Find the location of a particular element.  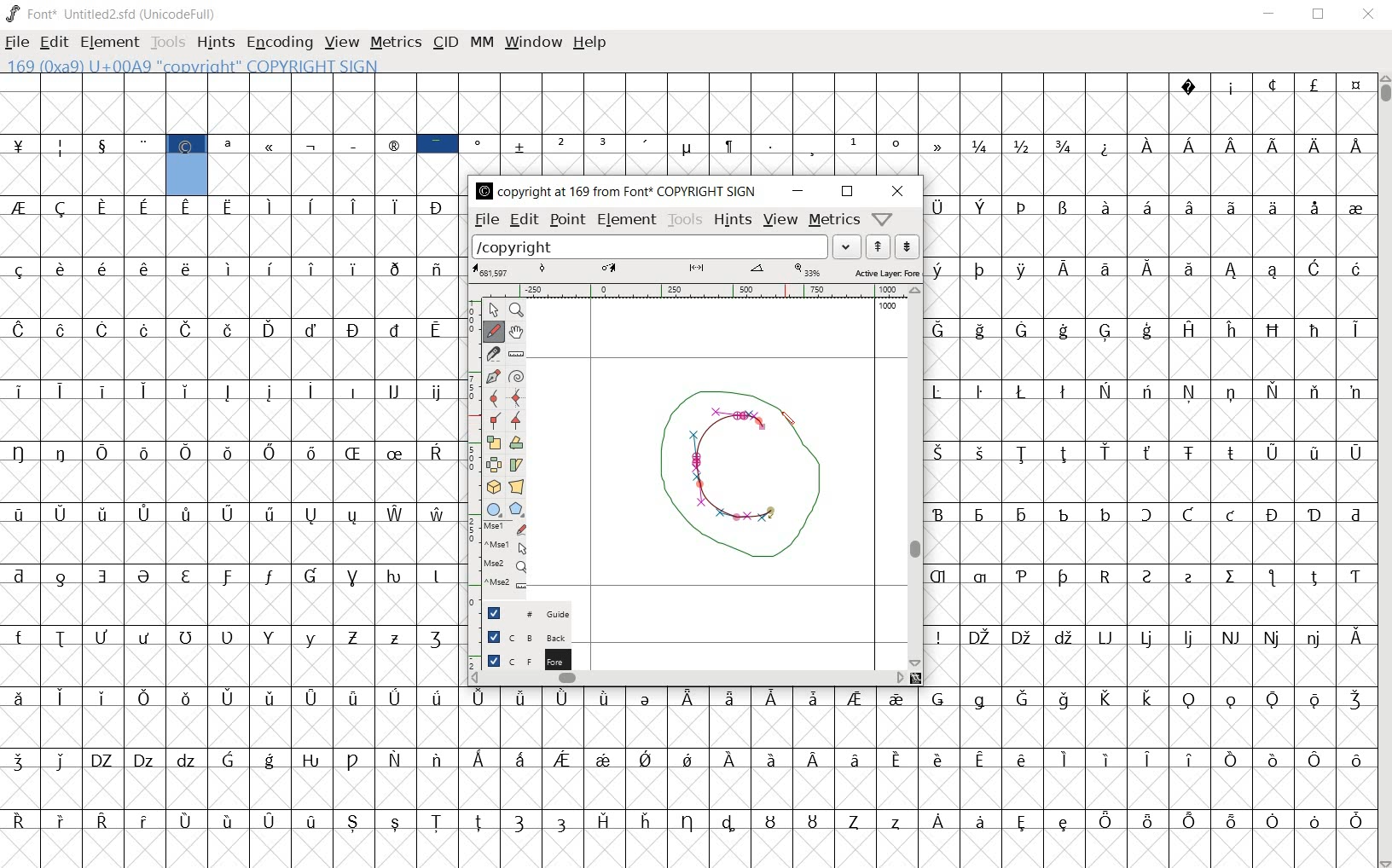

background layer is located at coordinates (519, 637).